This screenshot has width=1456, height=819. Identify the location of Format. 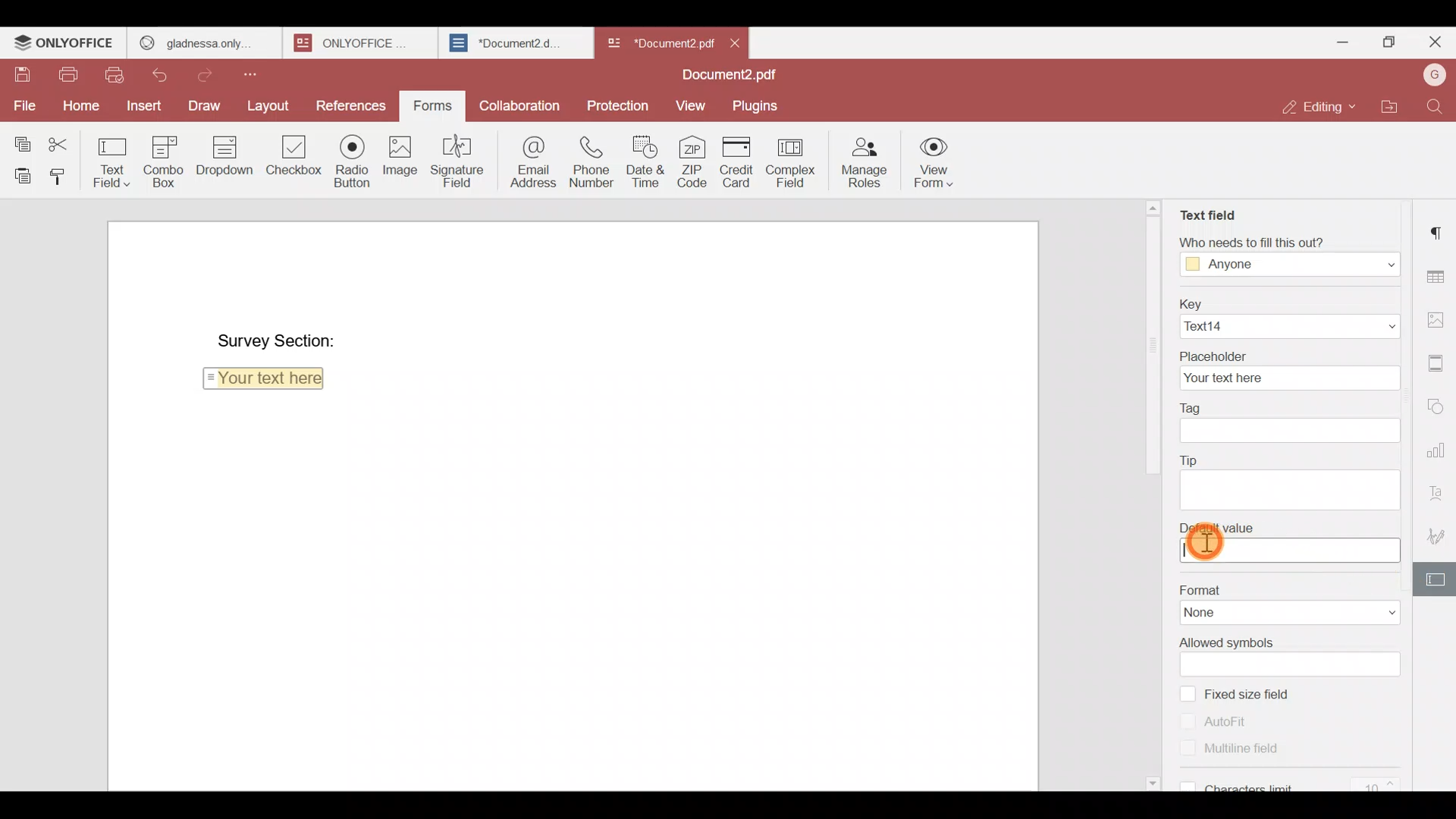
(1288, 587).